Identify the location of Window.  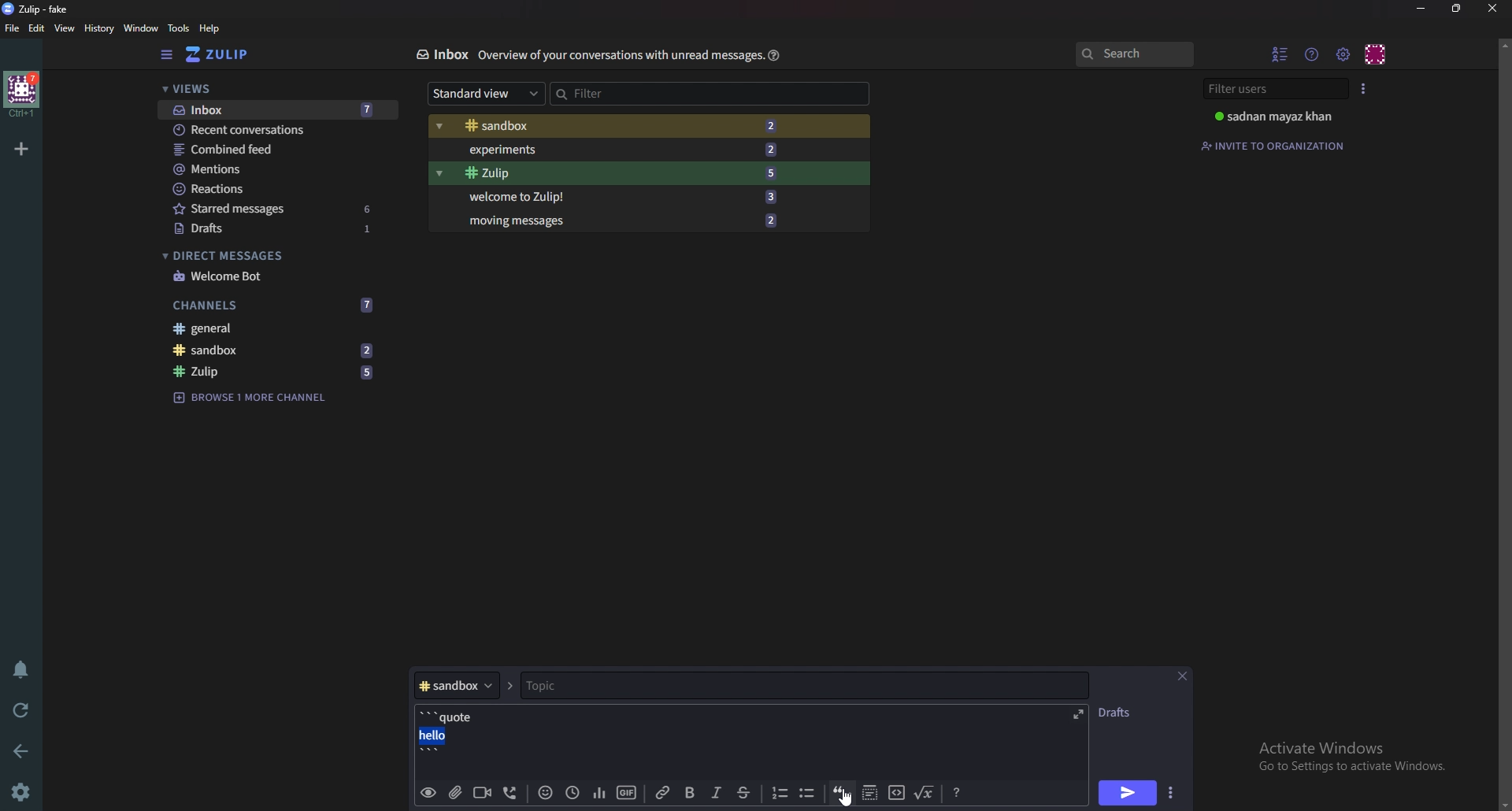
(143, 28).